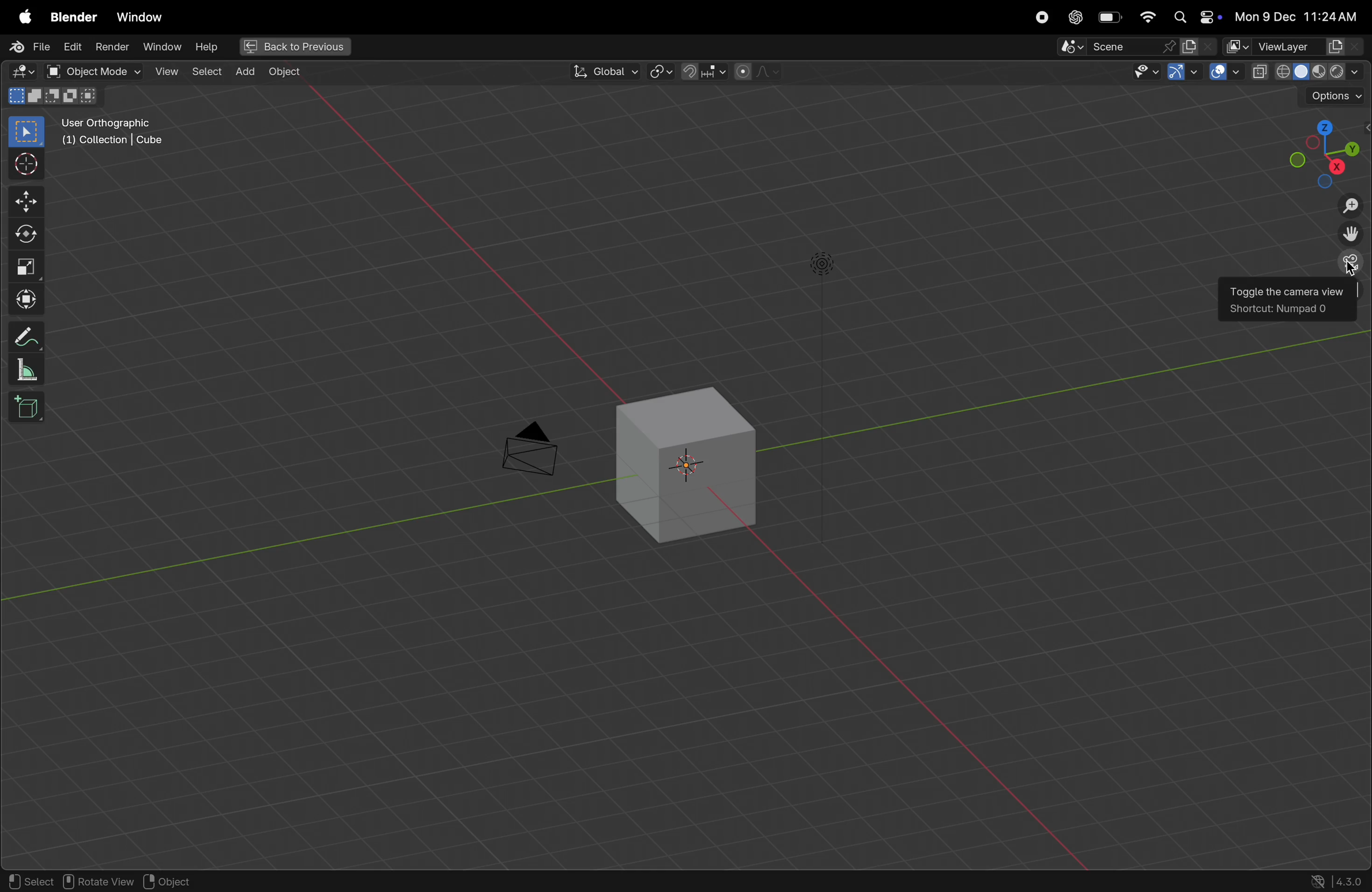 This screenshot has height=892, width=1372. I want to click on Window, so click(146, 14).